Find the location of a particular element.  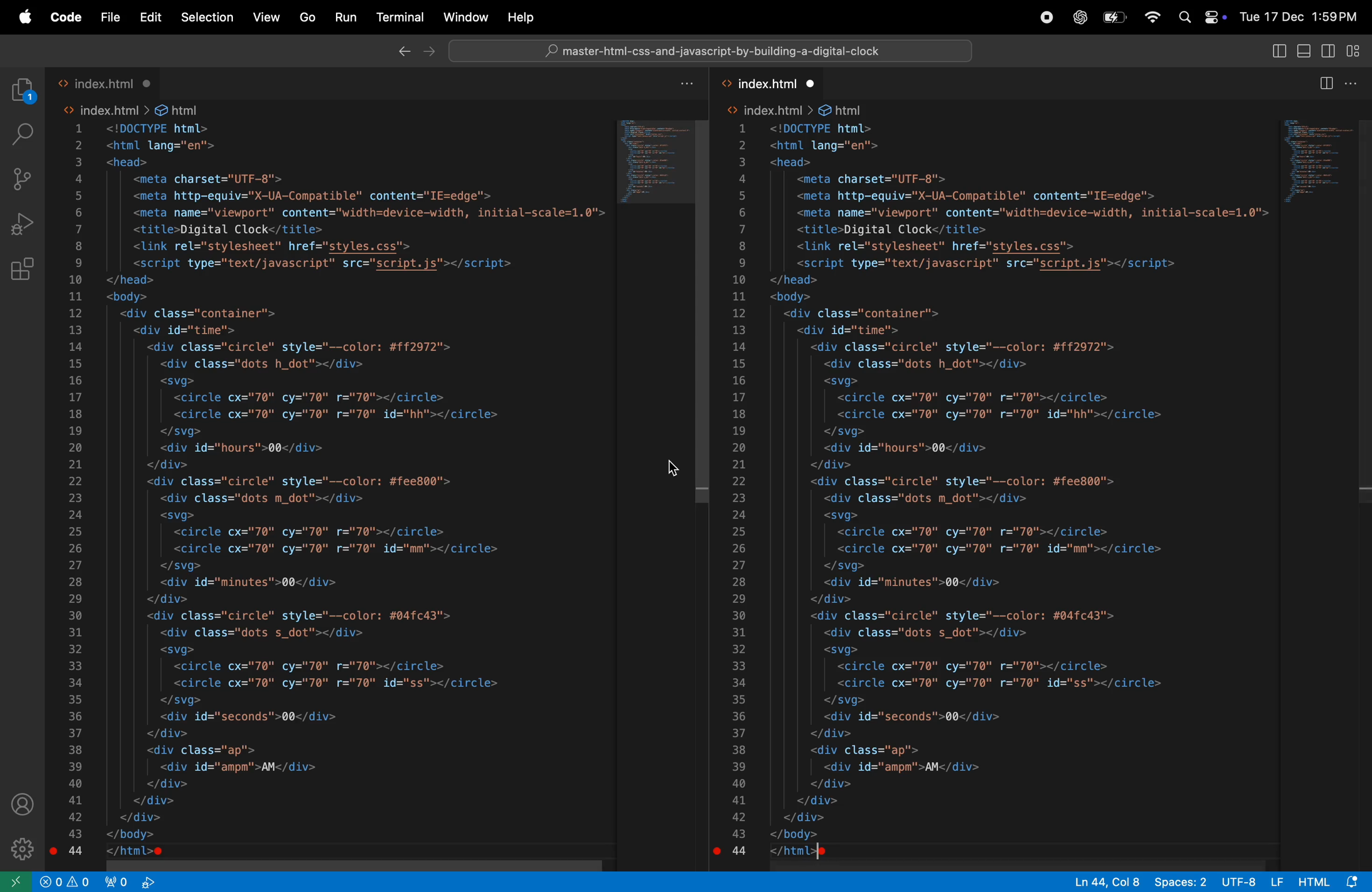

Control center is located at coordinates (1215, 16).